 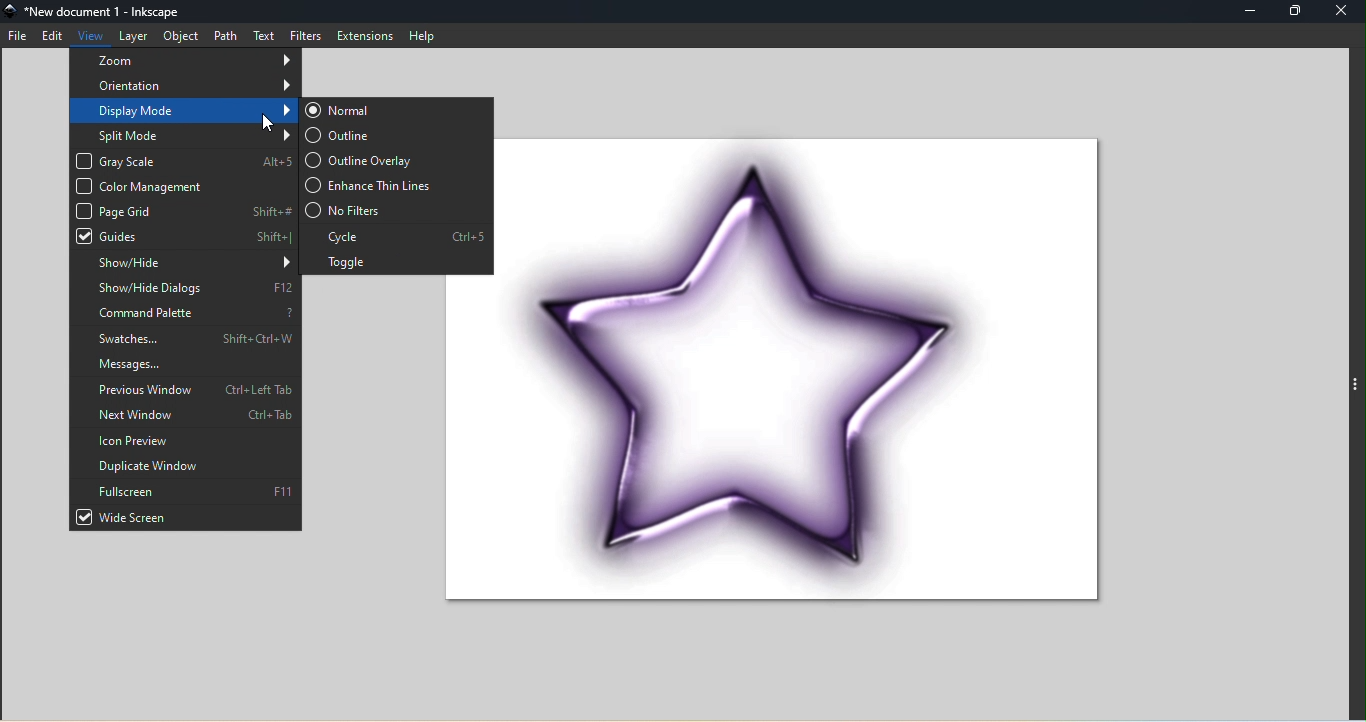 I want to click on Maximize, so click(x=1296, y=10).